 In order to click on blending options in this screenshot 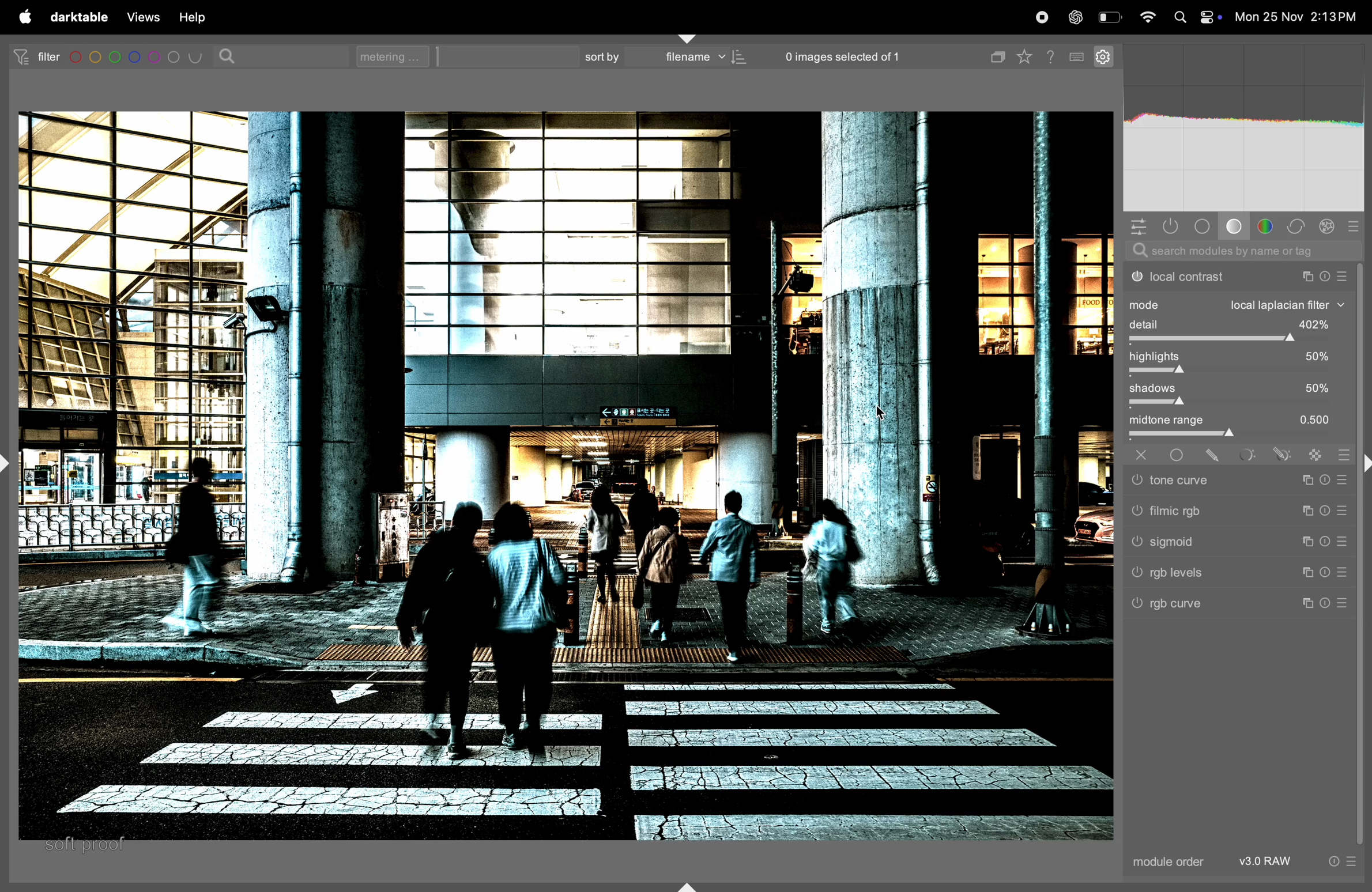, I will do `click(1343, 452)`.